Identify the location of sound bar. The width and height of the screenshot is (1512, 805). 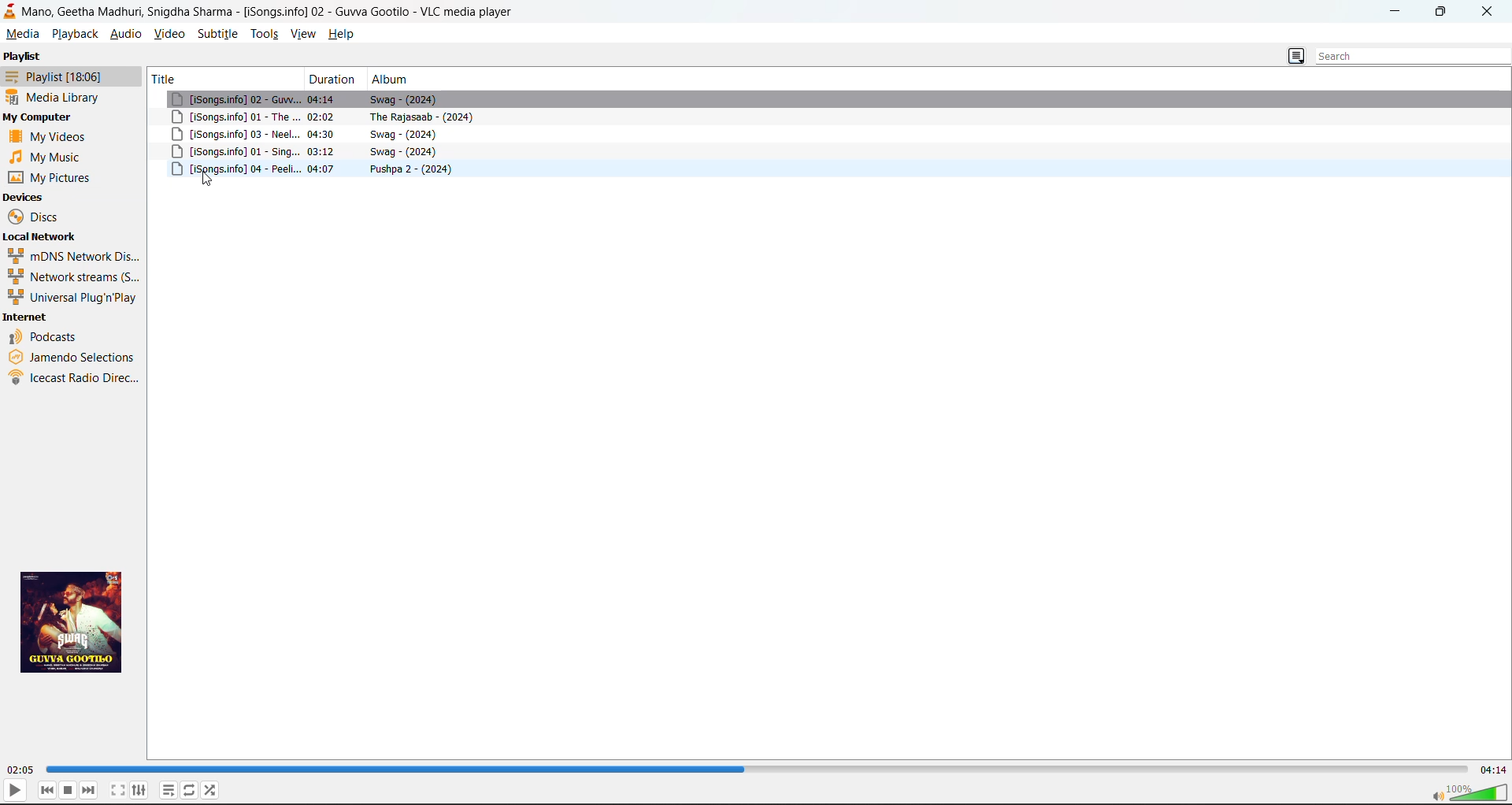
(1466, 793).